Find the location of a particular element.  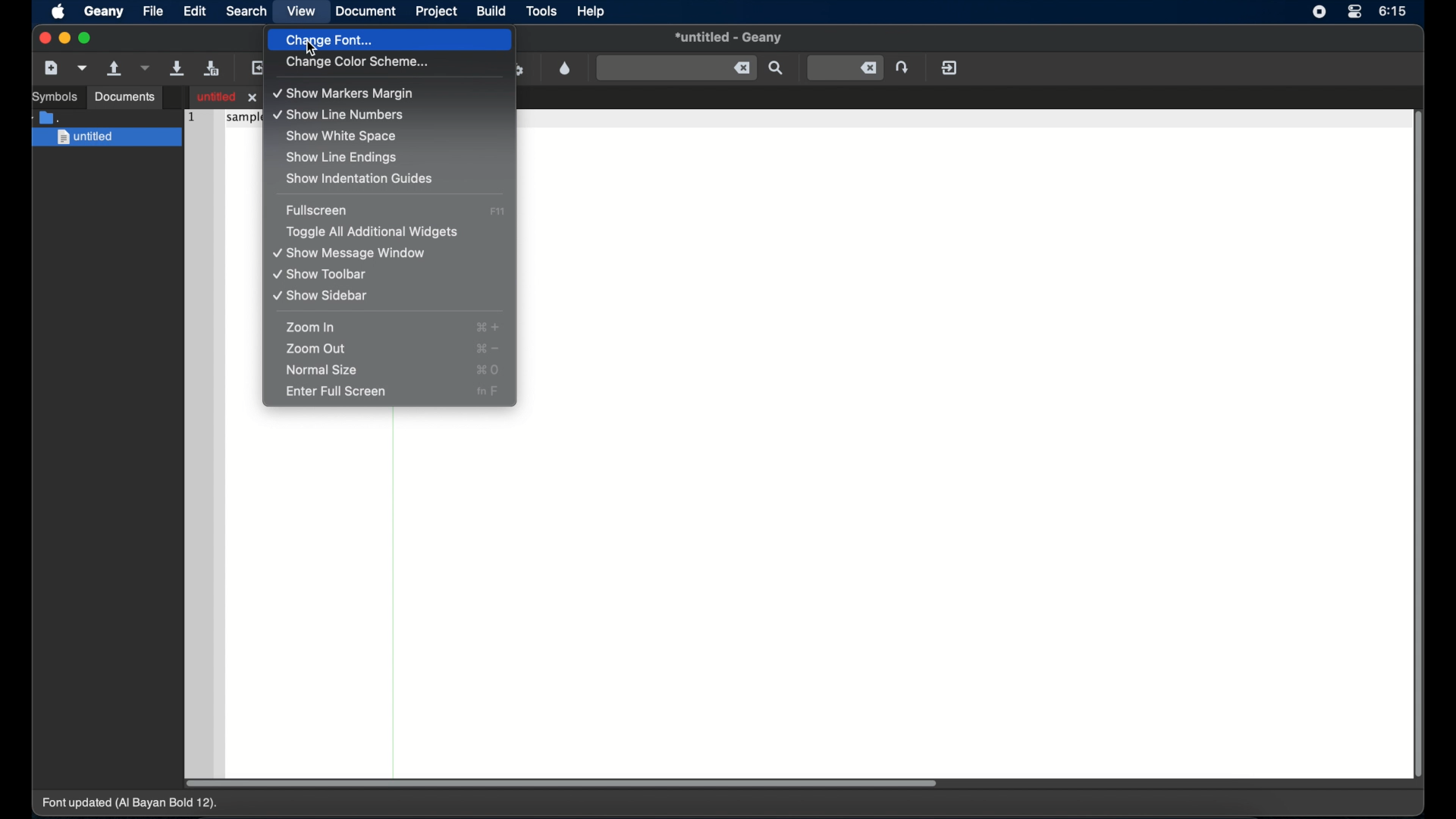

reload the current file from disk is located at coordinates (260, 67).